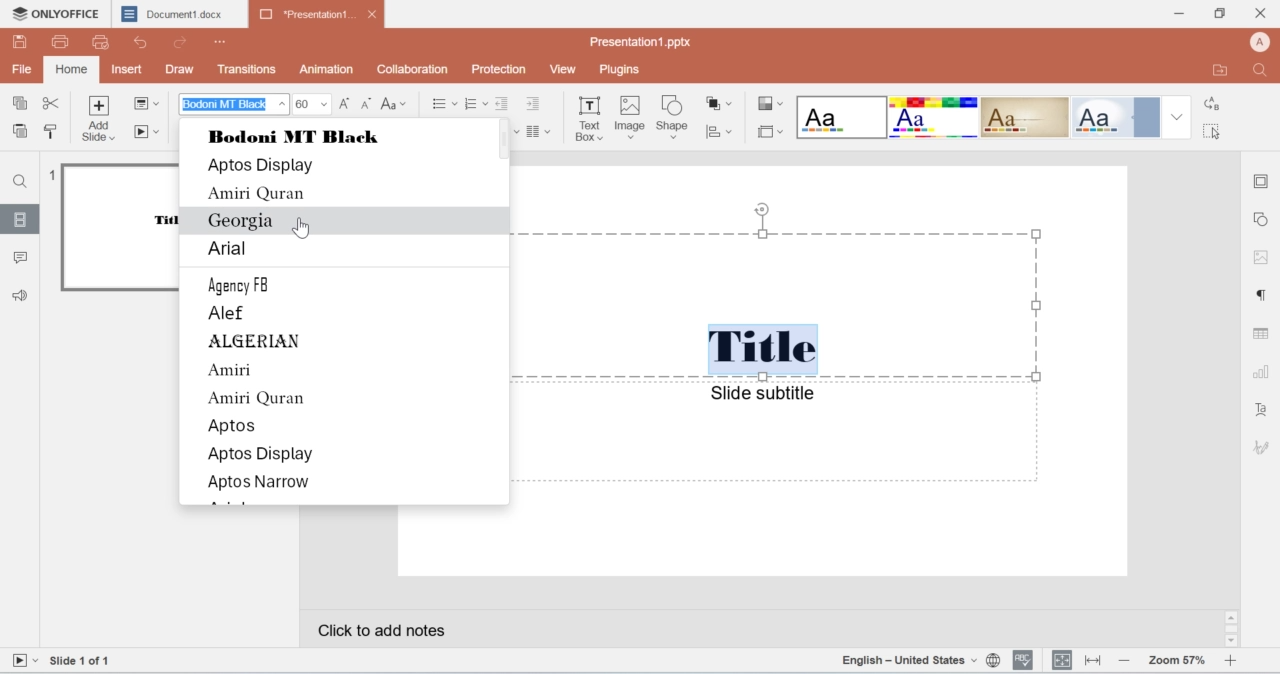 This screenshot has height=674, width=1280. I want to click on comments, so click(22, 258).